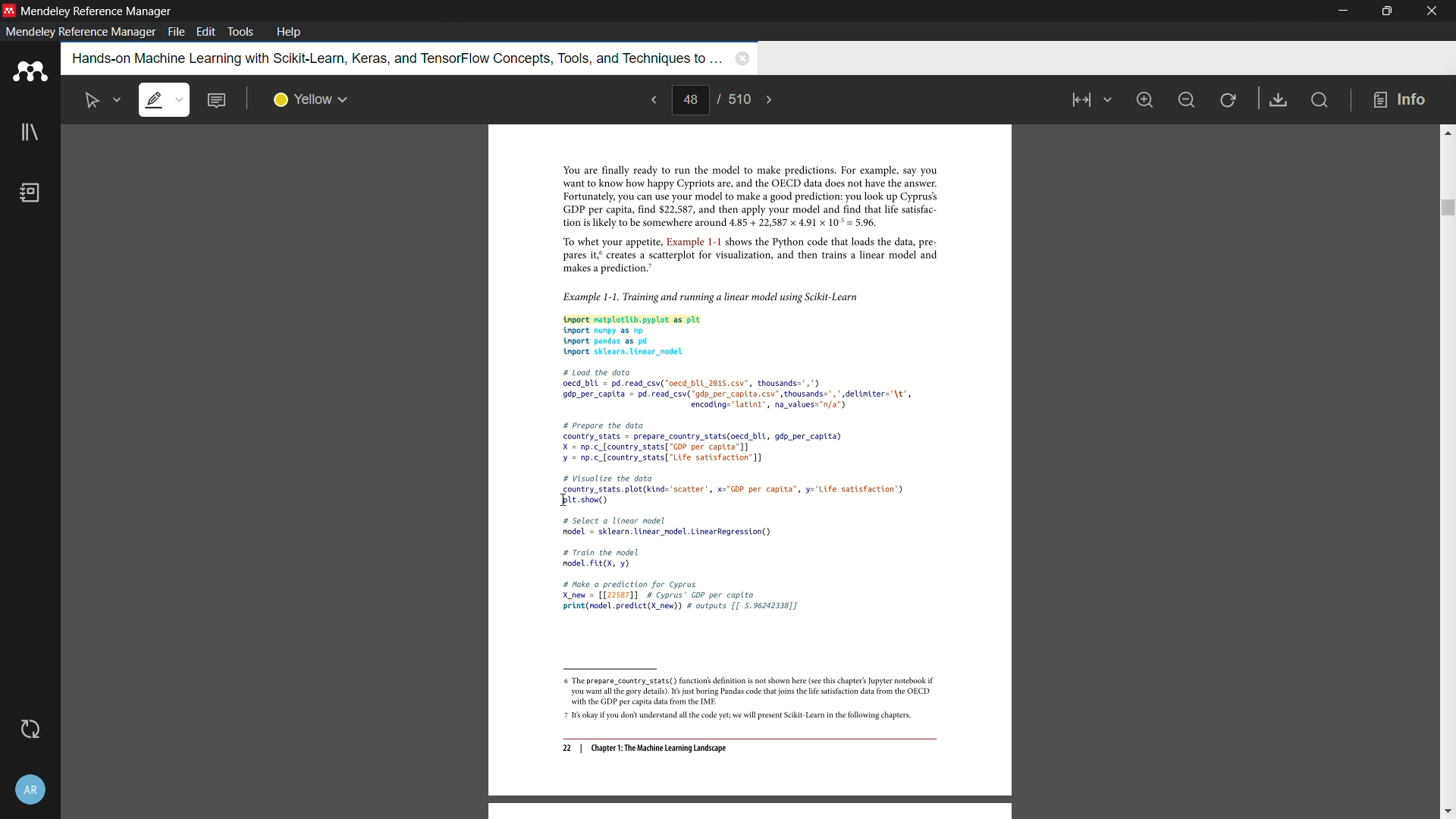  What do you see at coordinates (743, 700) in the screenshot?
I see `6 The prepare_country_stats() function's definition is not shown here (see this chapter's Jupyter notebook if
‘you want al th gory details). 6s just boring Pandas code that joins th ie satisfaction data from the OECD
‘with the GDP per capita dta from the IMF:

7 1s okay you dont understand all the code yet we will present Scikit-Lear inthe following chapters.` at bounding box center [743, 700].